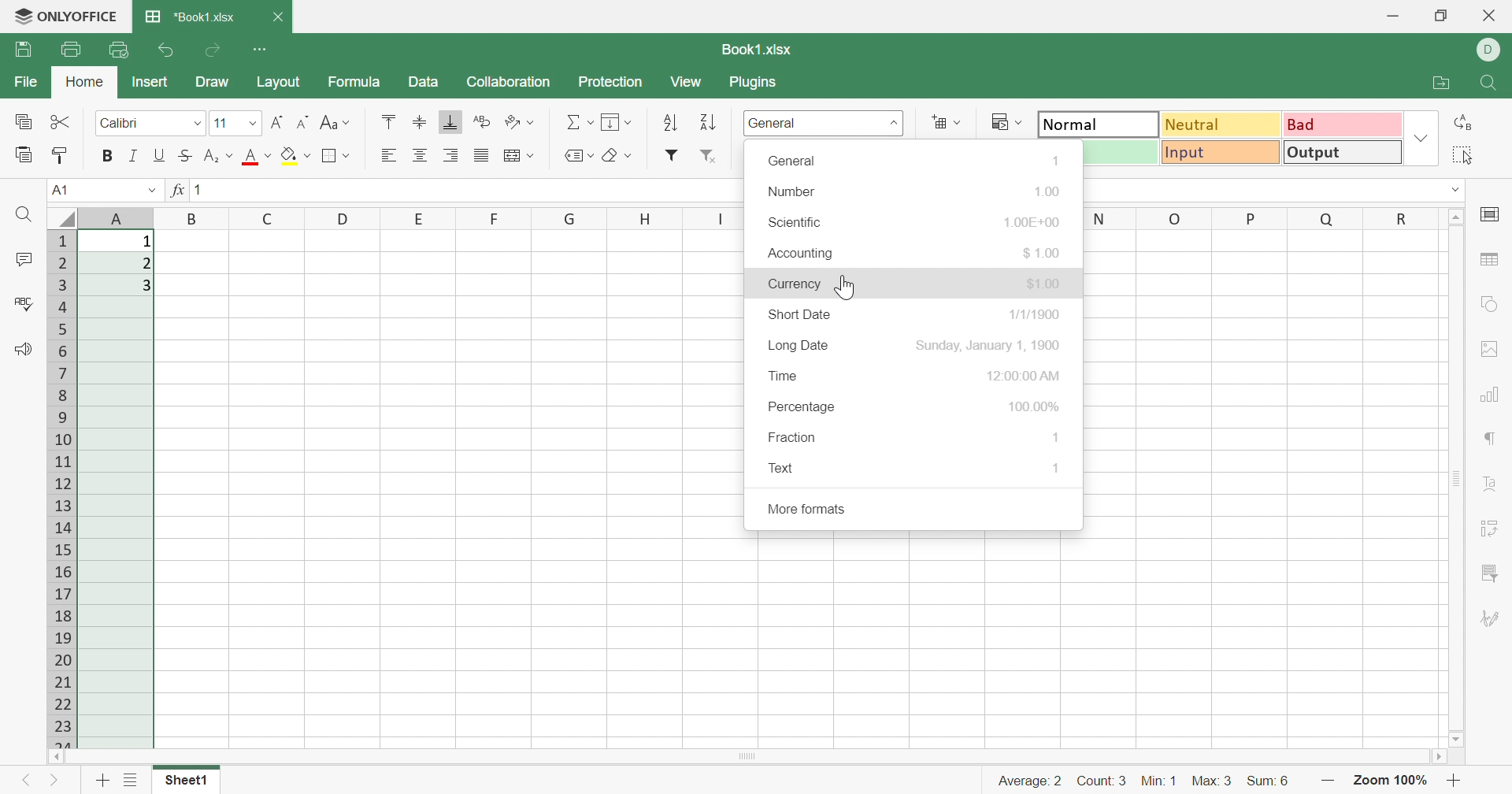  Describe the element at coordinates (61, 121) in the screenshot. I see `Cut` at that location.